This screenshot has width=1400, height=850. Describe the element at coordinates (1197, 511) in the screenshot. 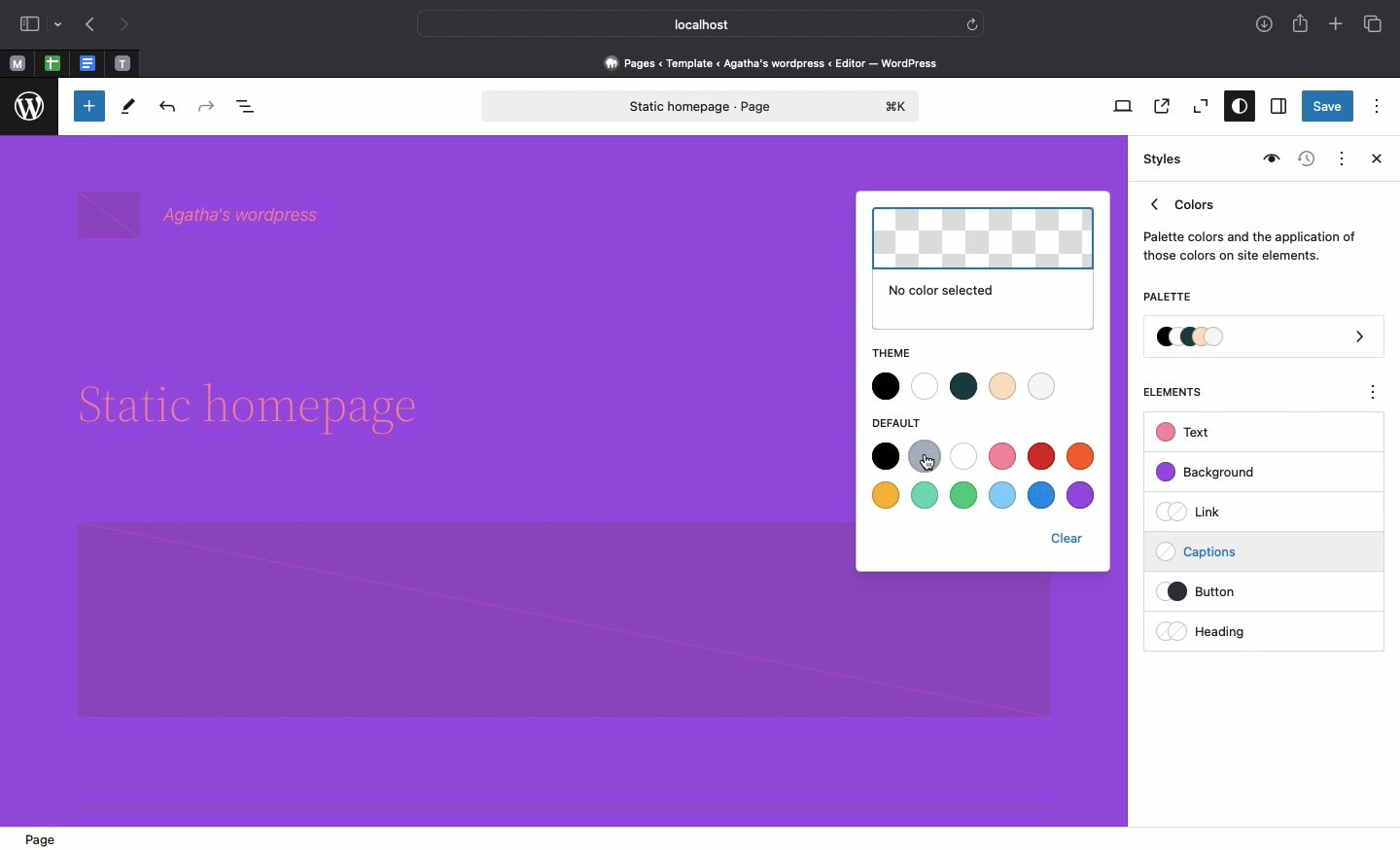

I see `Link` at that location.